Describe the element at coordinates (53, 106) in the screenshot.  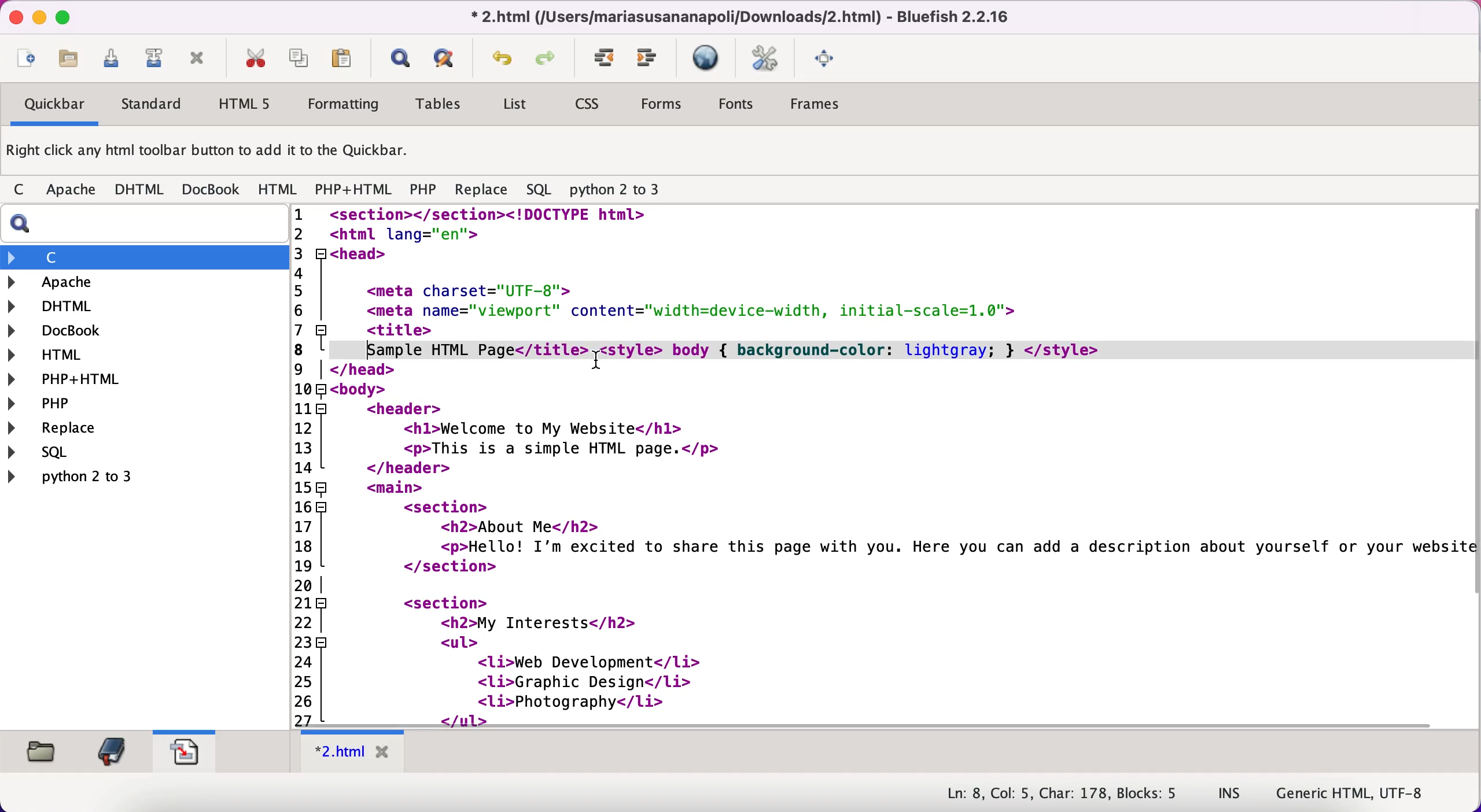
I see `quickbar` at that location.